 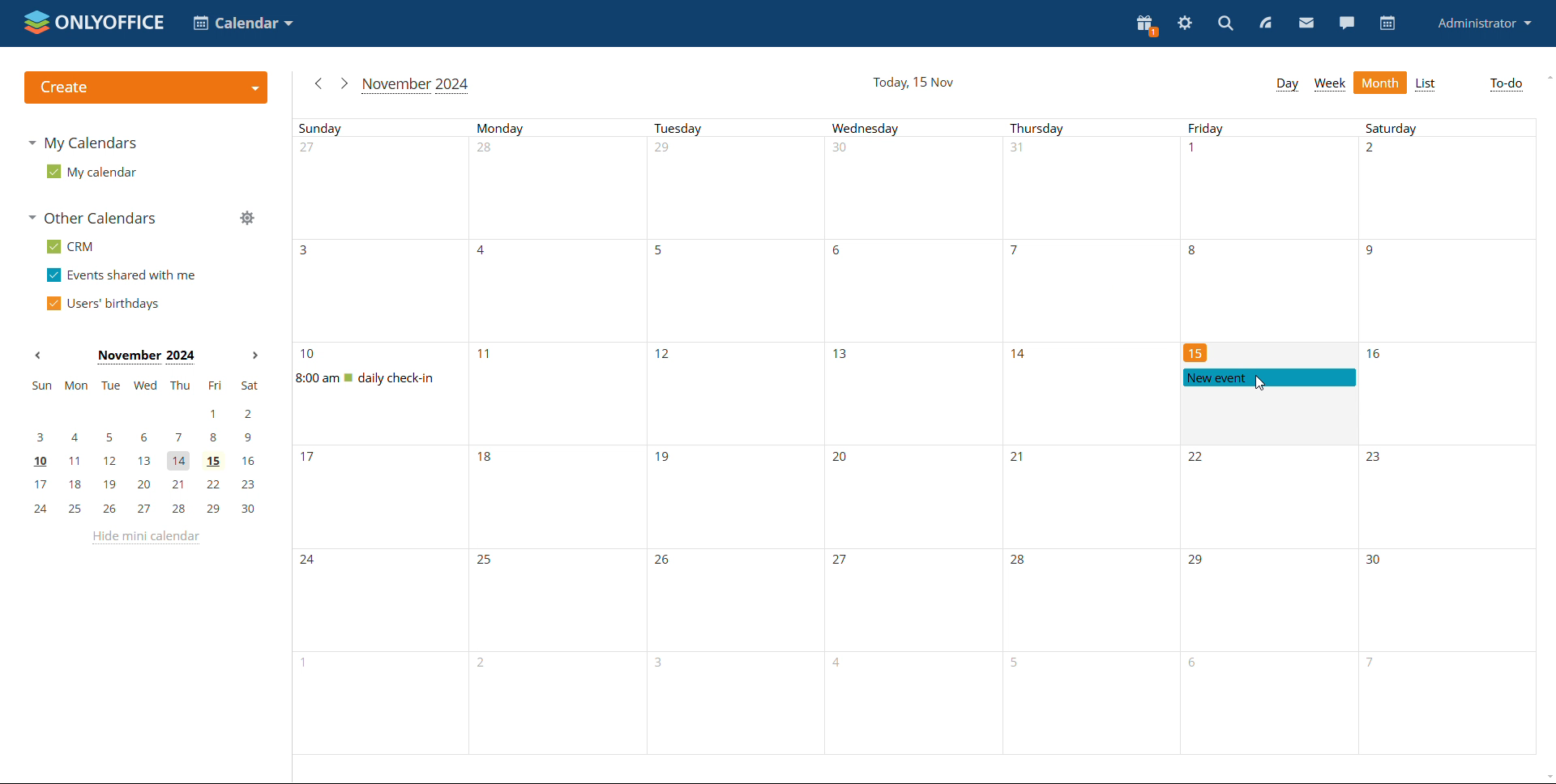 What do you see at coordinates (246, 217) in the screenshot?
I see `manage` at bounding box center [246, 217].